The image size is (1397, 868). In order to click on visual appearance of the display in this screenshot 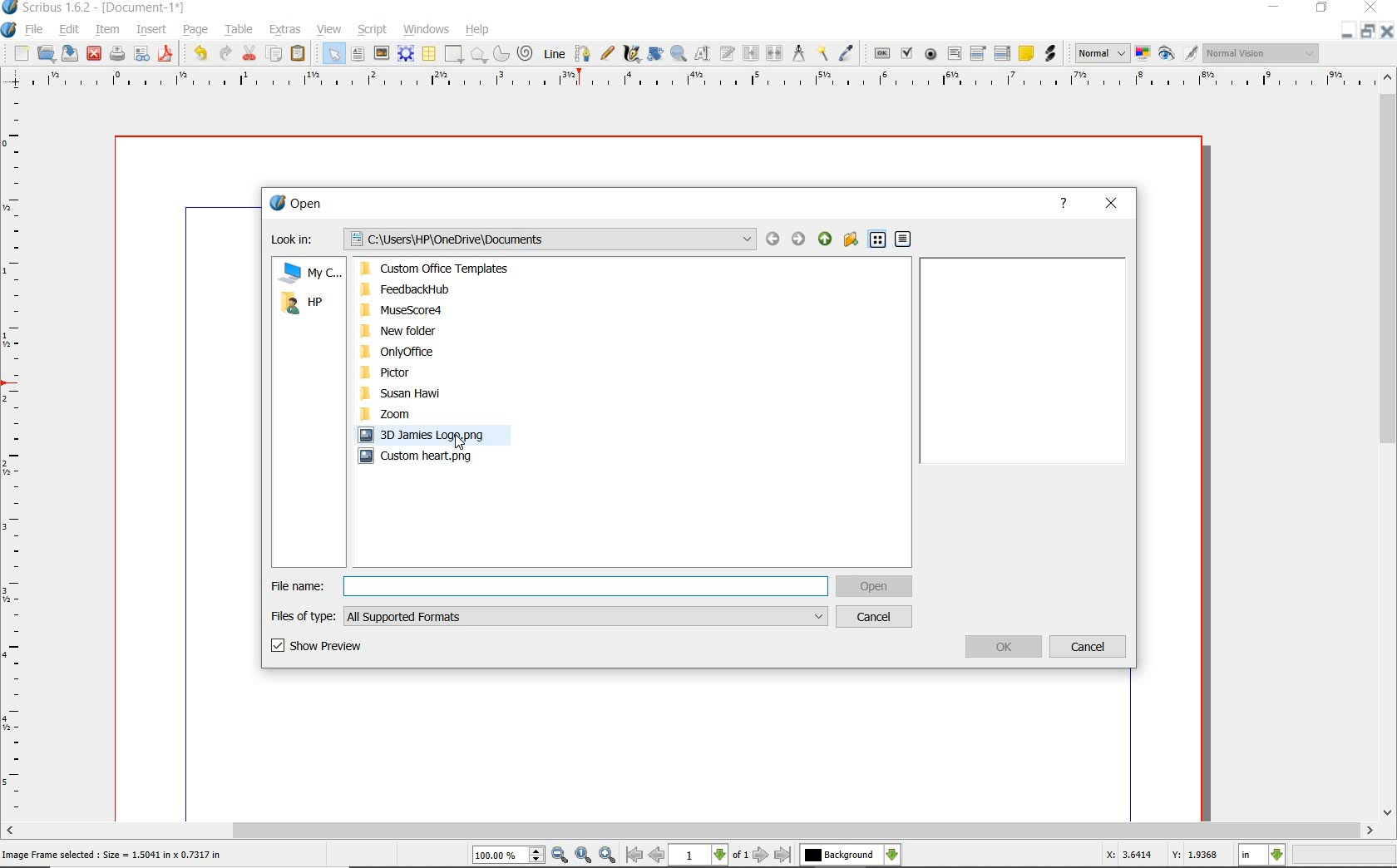, I will do `click(1259, 53)`.